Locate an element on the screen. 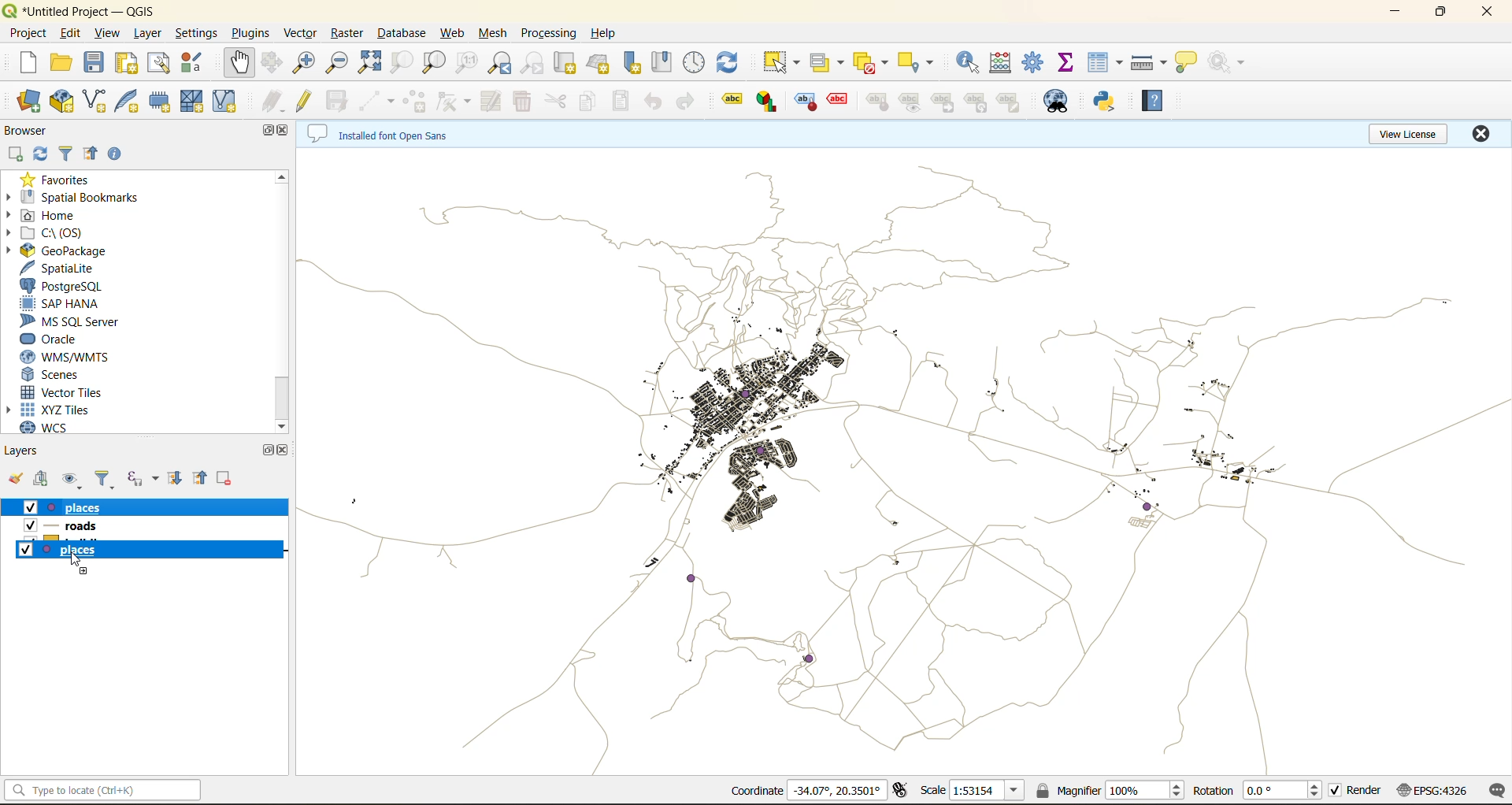  collapse all is located at coordinates (93, 155).